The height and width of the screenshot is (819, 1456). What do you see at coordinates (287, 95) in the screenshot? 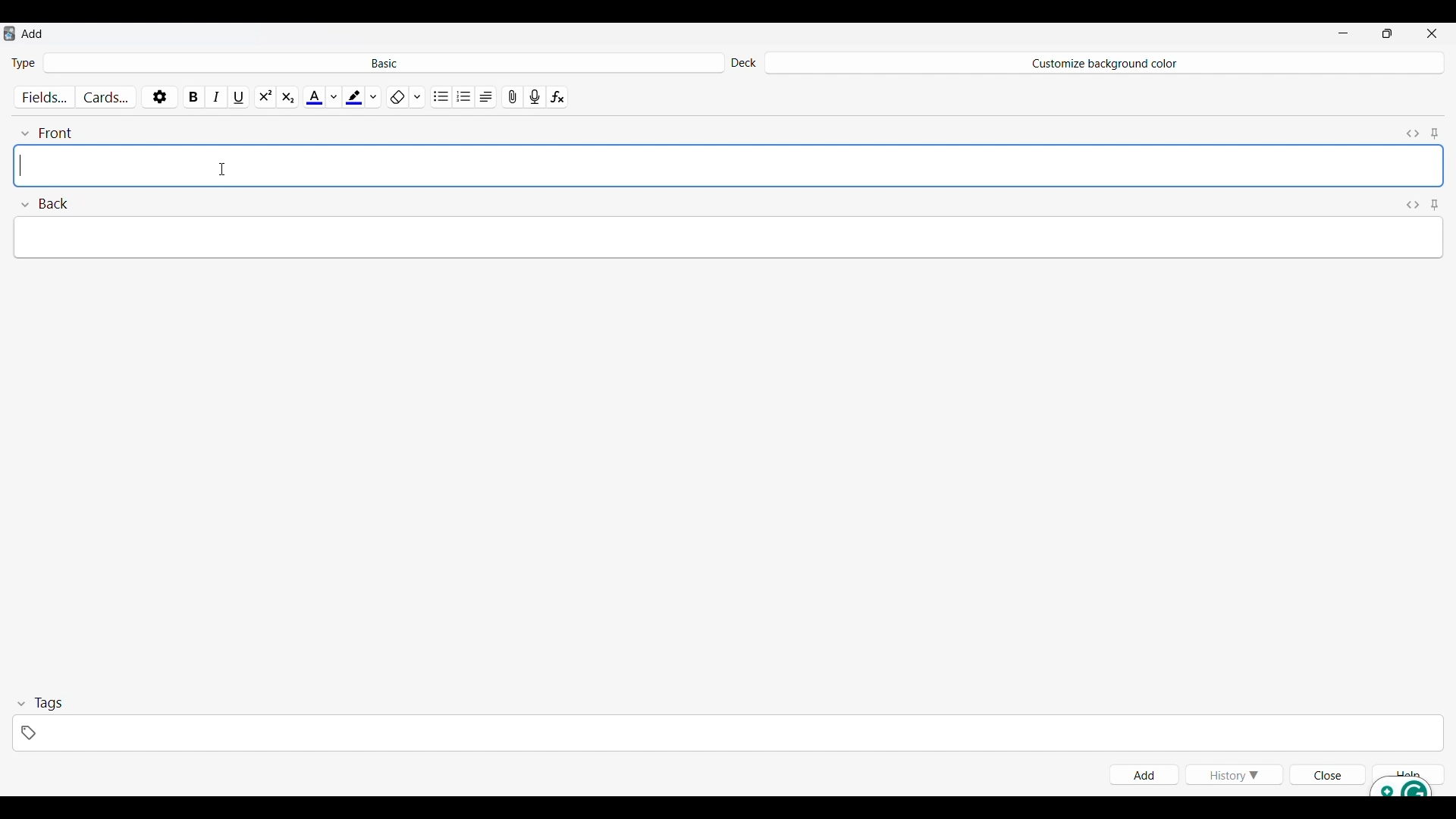
I see `Sub script` at bounding box center [287, 95].